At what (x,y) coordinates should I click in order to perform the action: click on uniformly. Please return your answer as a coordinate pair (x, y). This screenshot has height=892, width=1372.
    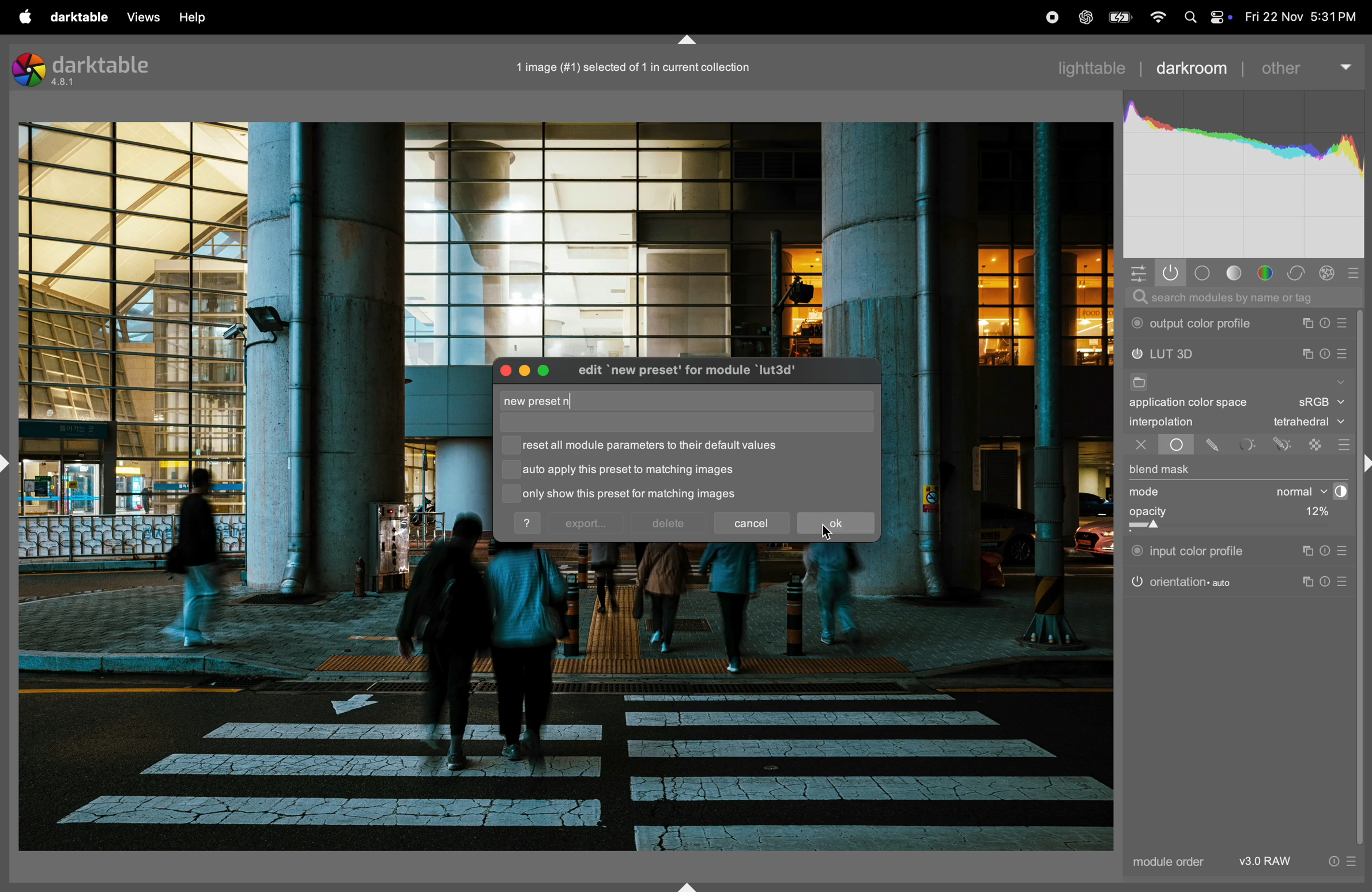
    Looking at the image, I should click on (1166, 445).